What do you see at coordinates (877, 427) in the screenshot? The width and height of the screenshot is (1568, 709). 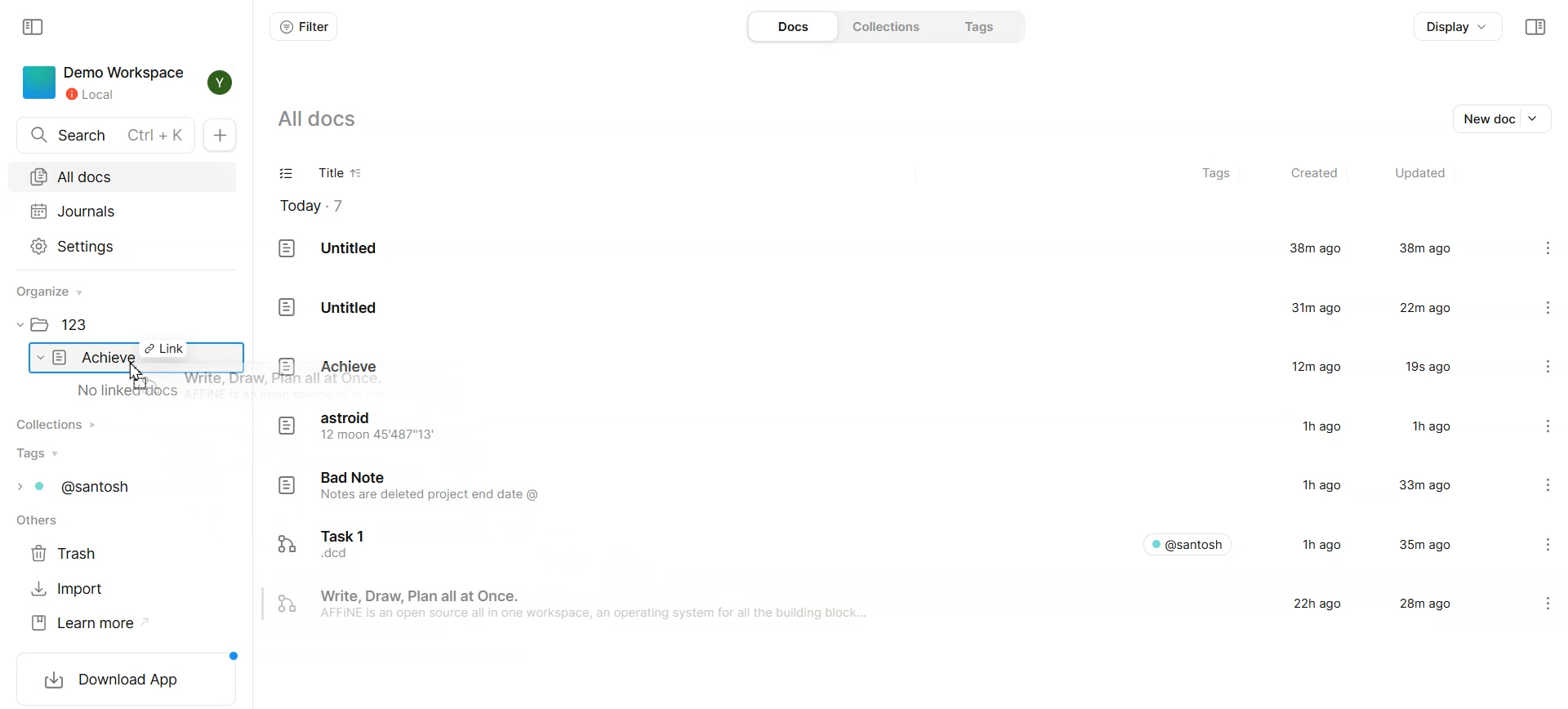 I see `Doc file` at bounding box center [877, 427].